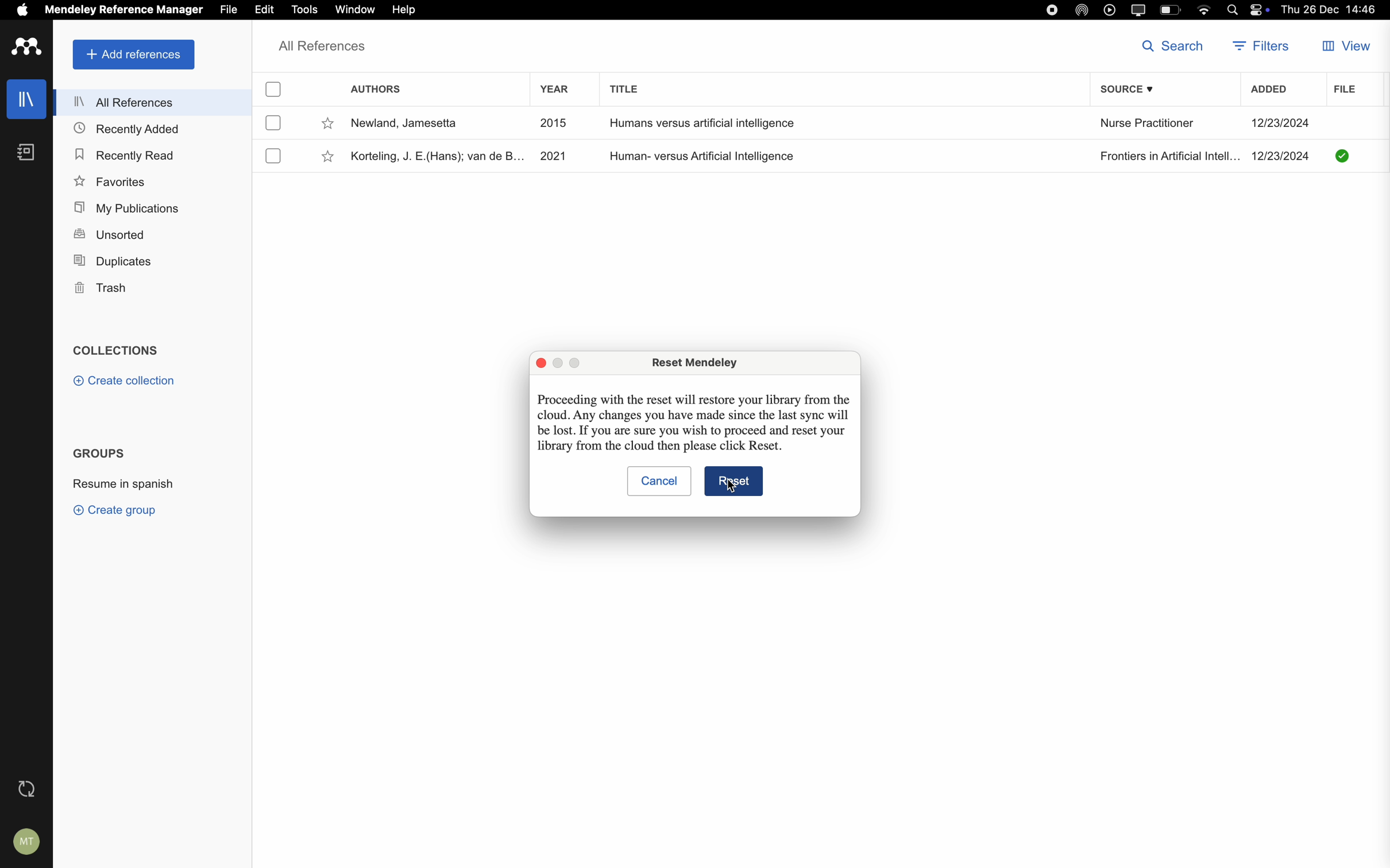 The image size is (1390, 868). I want to click on click on help, so click(407, 10).